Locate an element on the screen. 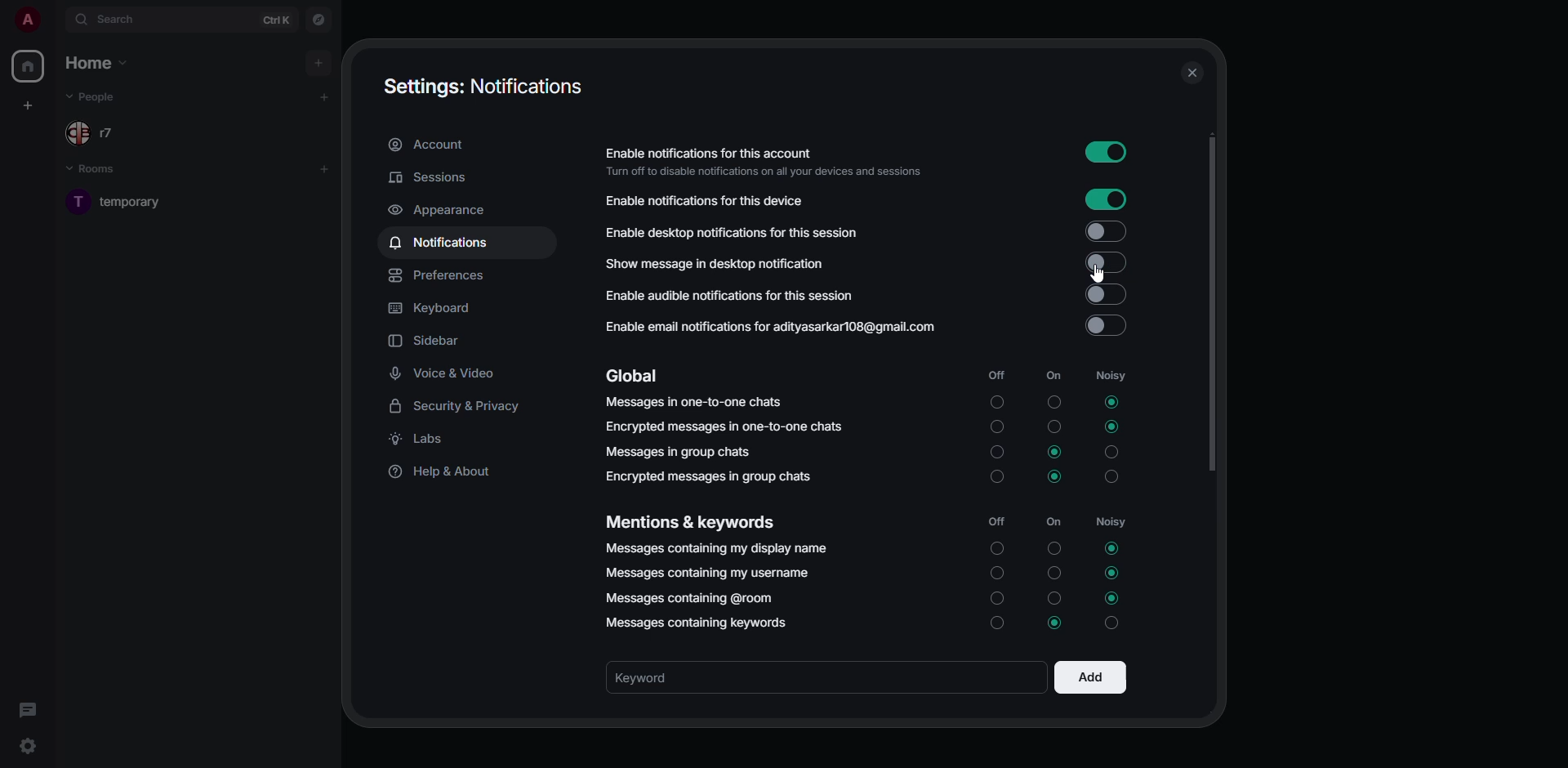 The width and height of the screenshot is (1568, 768). create space is located at coordinates (30, 106).